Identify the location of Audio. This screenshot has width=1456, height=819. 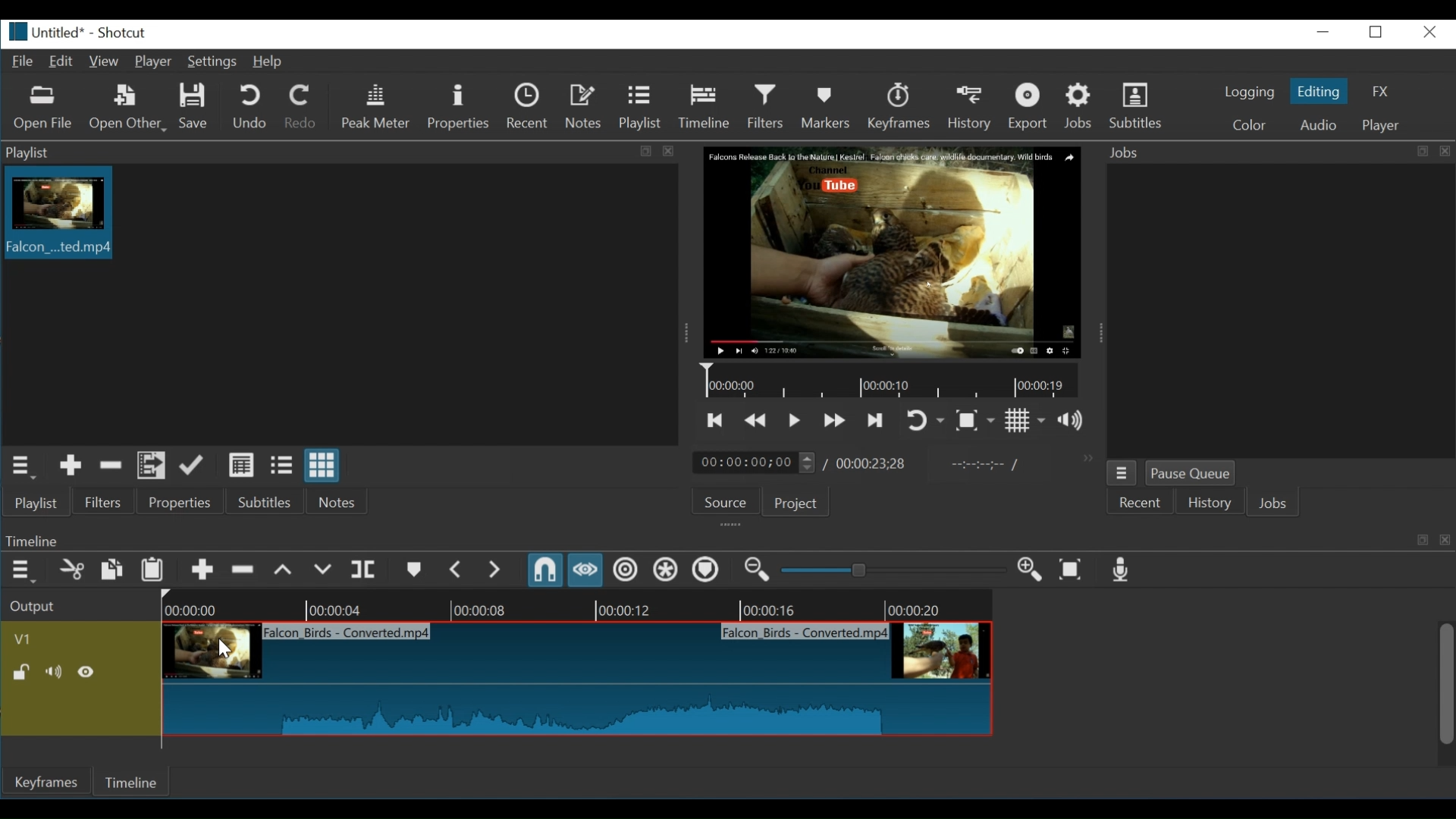
(1317, 124).